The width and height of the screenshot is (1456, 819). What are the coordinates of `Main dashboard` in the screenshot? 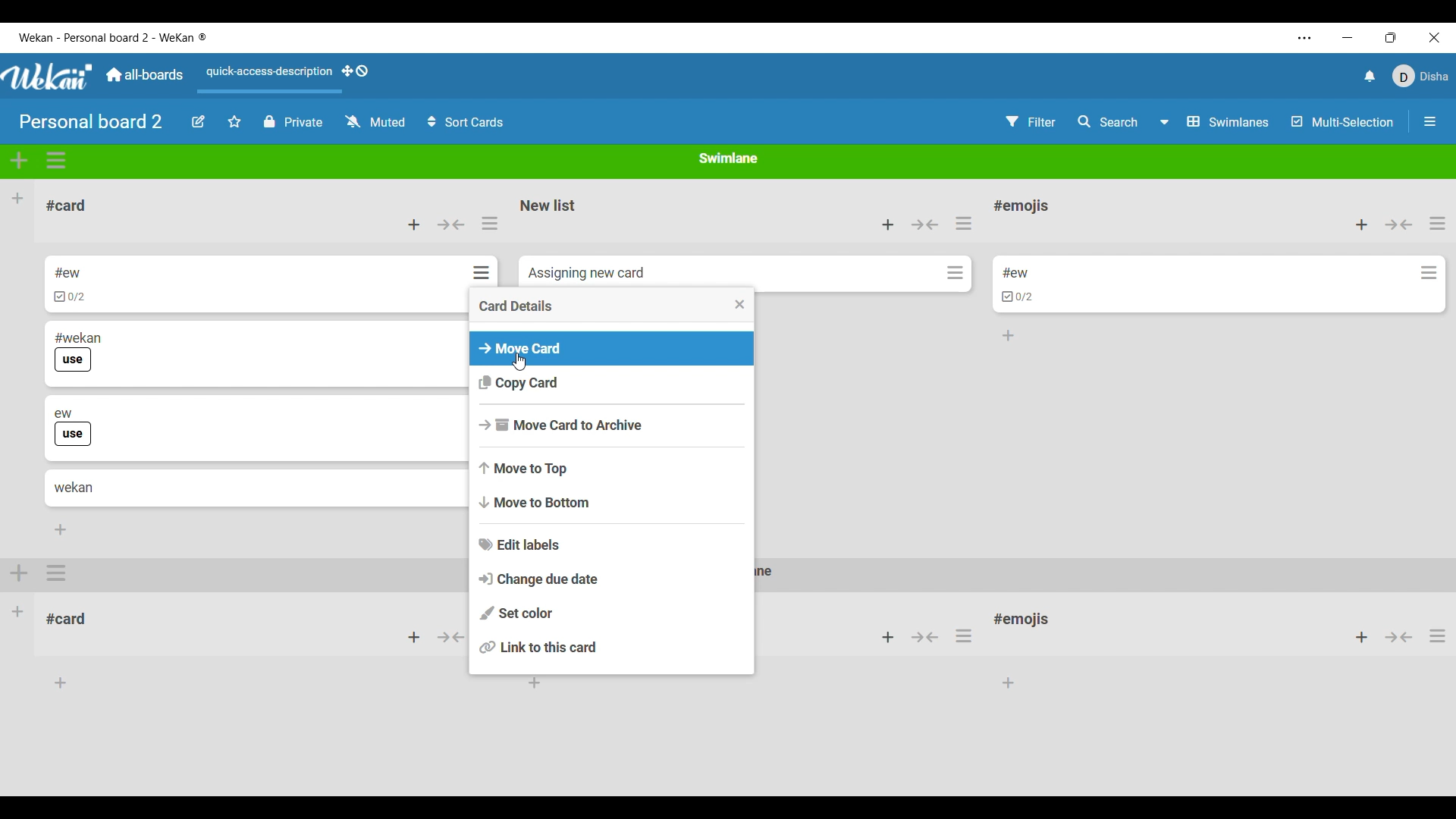 It's located at (143, 74).